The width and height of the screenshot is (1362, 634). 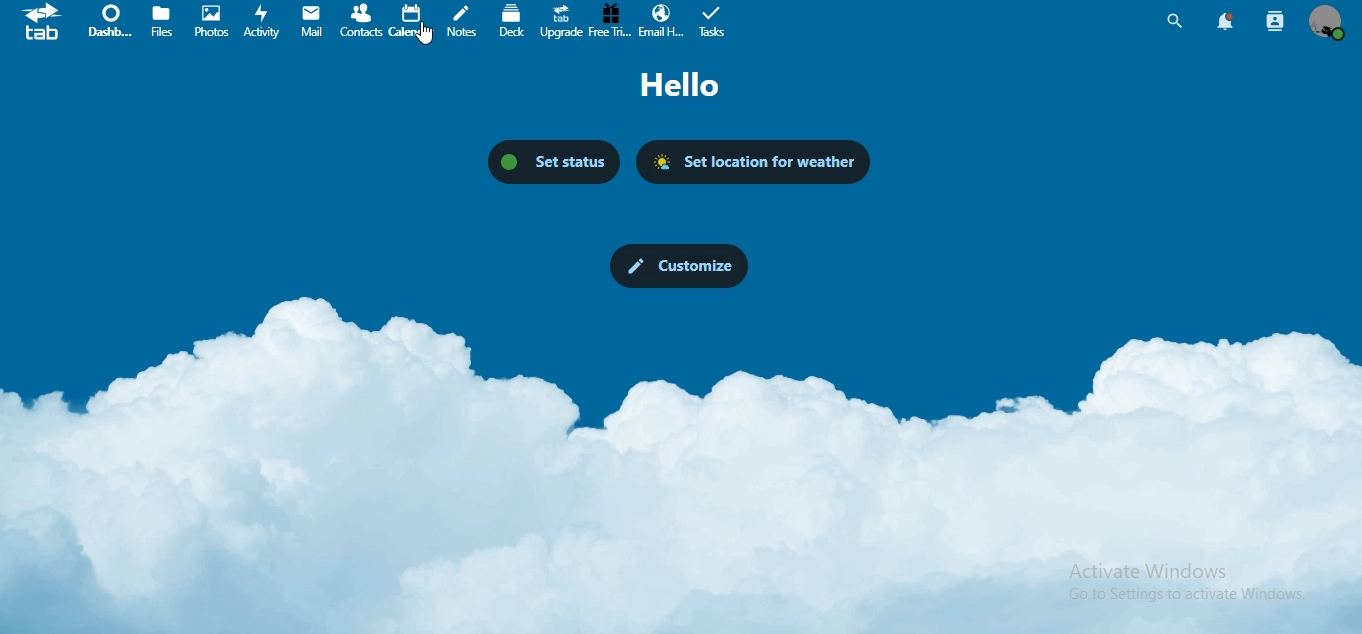 What do you see at coordinates (1327, 22) in the screenshot?
I see `view profile` at bounding box center [1327, 22].